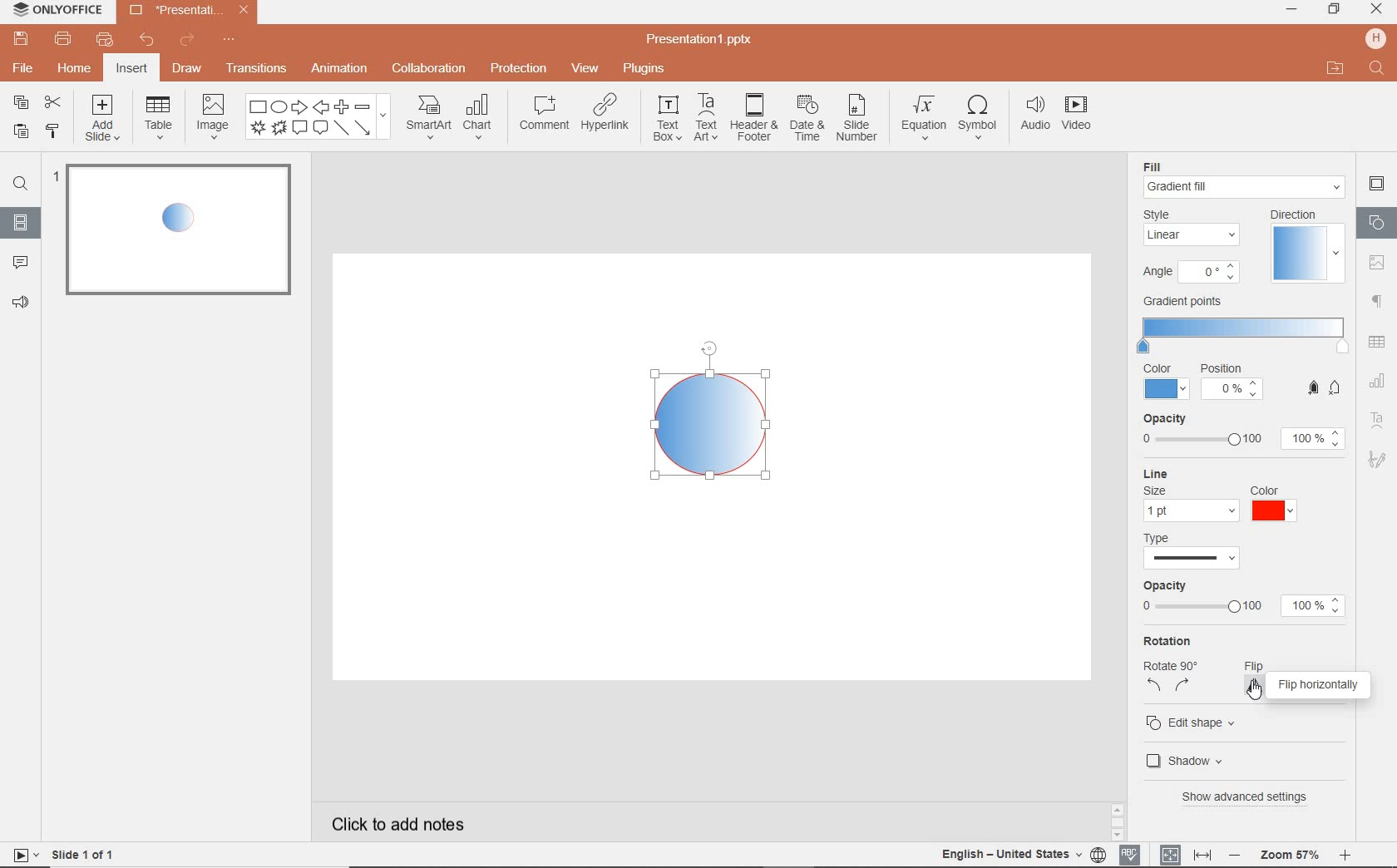  Describe the element at coordinates (518, 70) in the screenshot. I see `protection` at that location.